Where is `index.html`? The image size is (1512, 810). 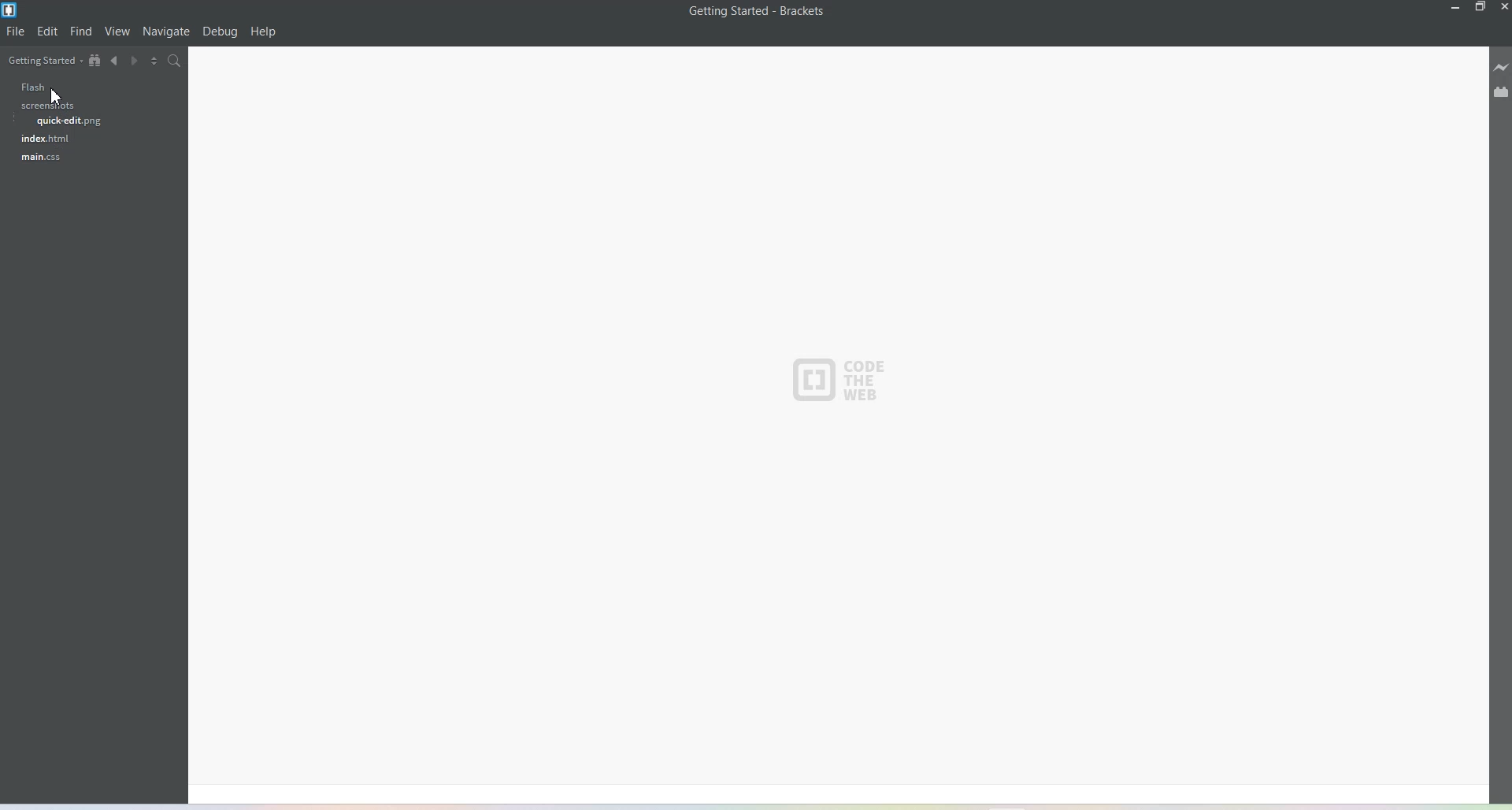
index.html is located at coordinates (42, 140).